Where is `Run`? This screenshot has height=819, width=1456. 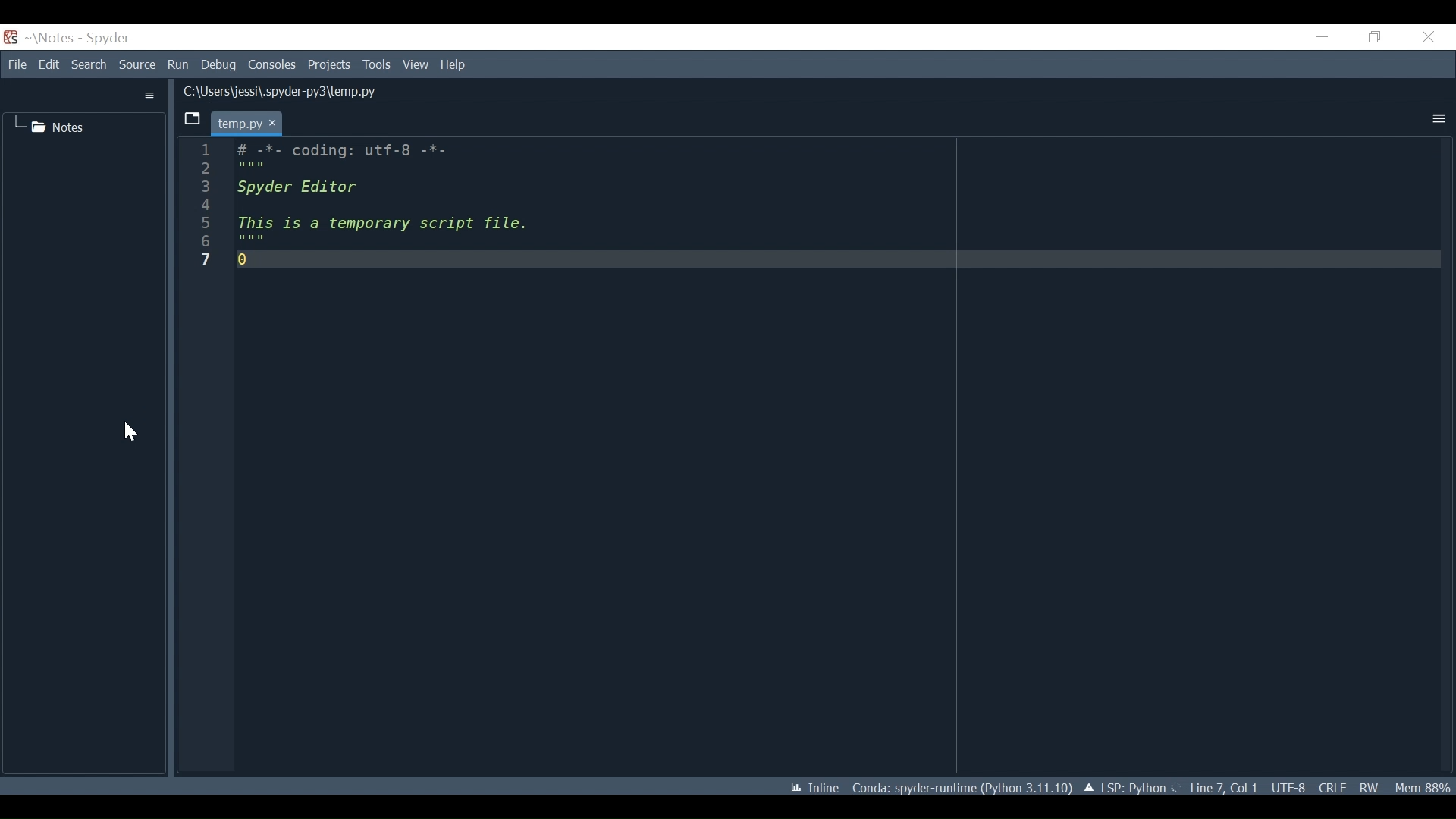 Run is located at coordinates (177, 65).